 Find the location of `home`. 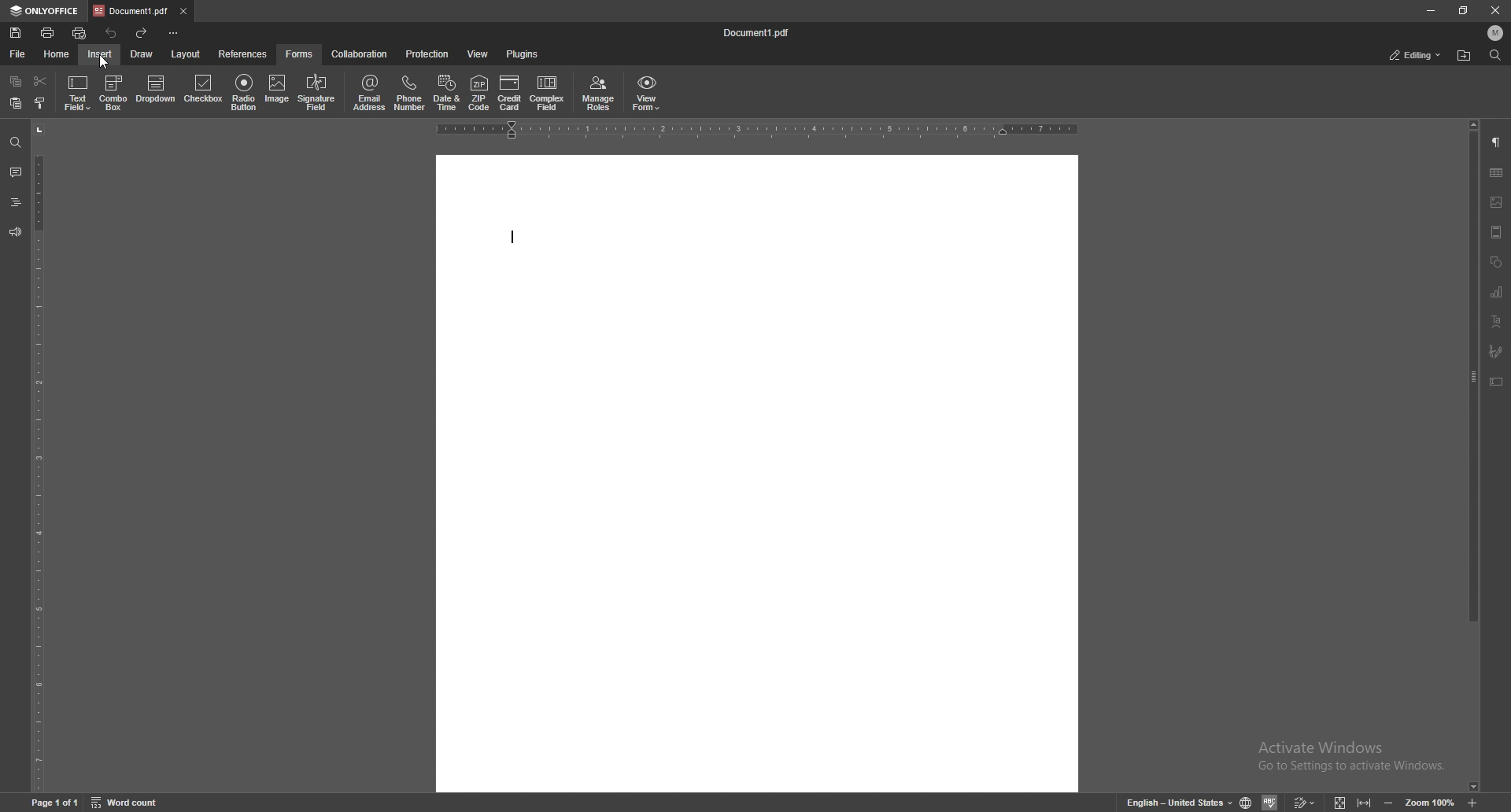

home is located at coordinates (58, 55).